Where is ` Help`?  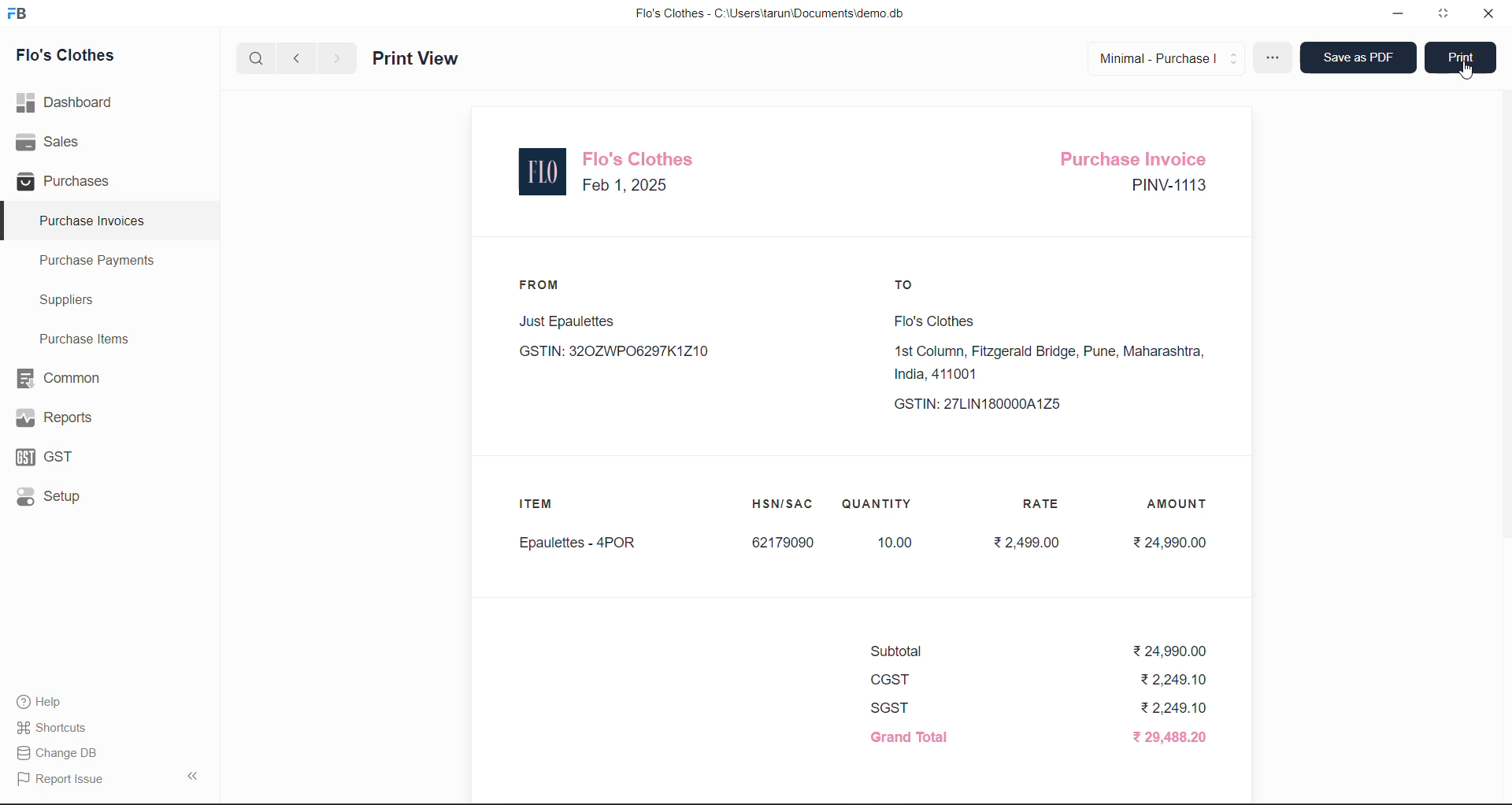
 Help is located at coordinates (53, 699).